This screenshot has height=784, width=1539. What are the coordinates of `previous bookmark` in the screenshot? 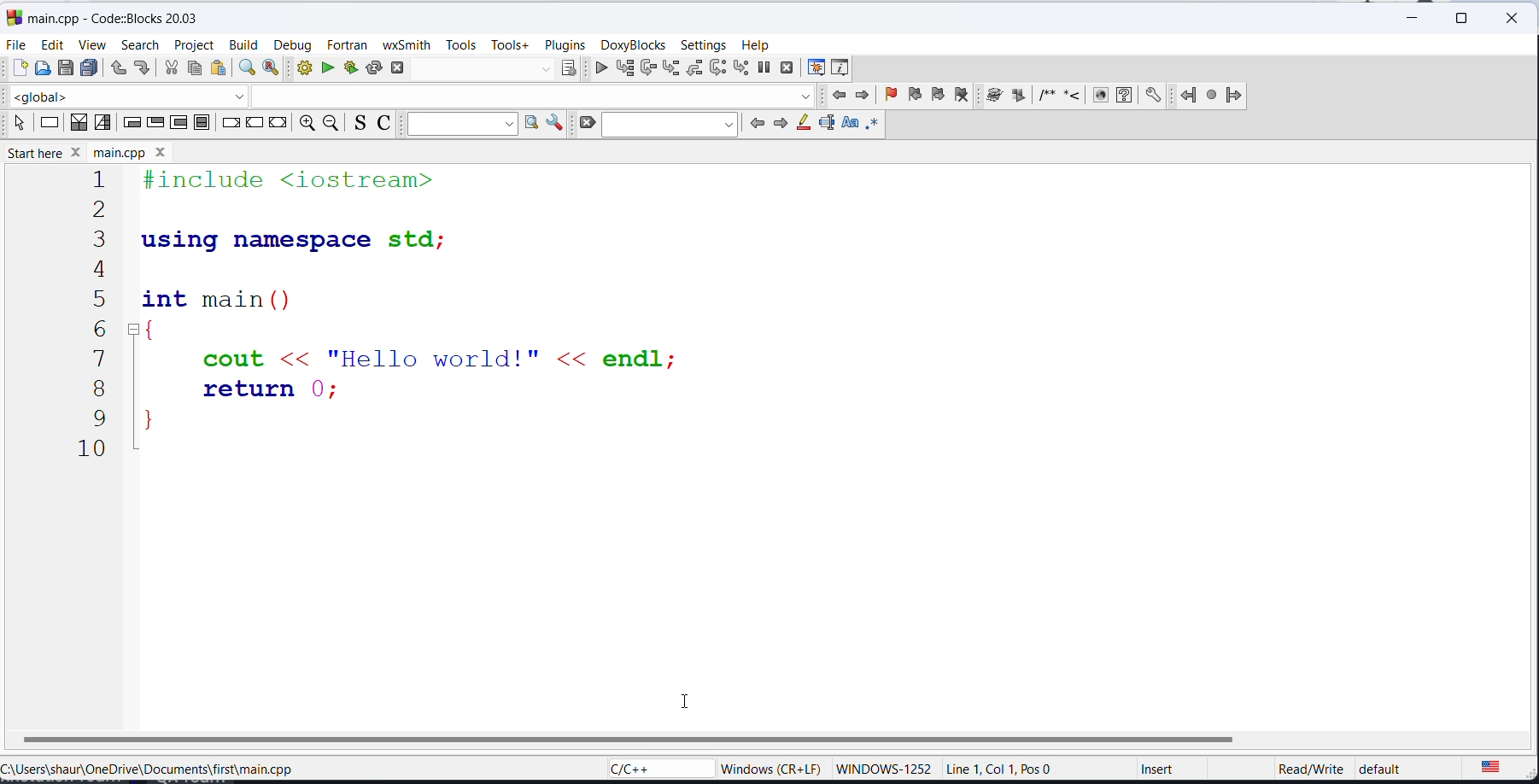 It's located at (913, 94).